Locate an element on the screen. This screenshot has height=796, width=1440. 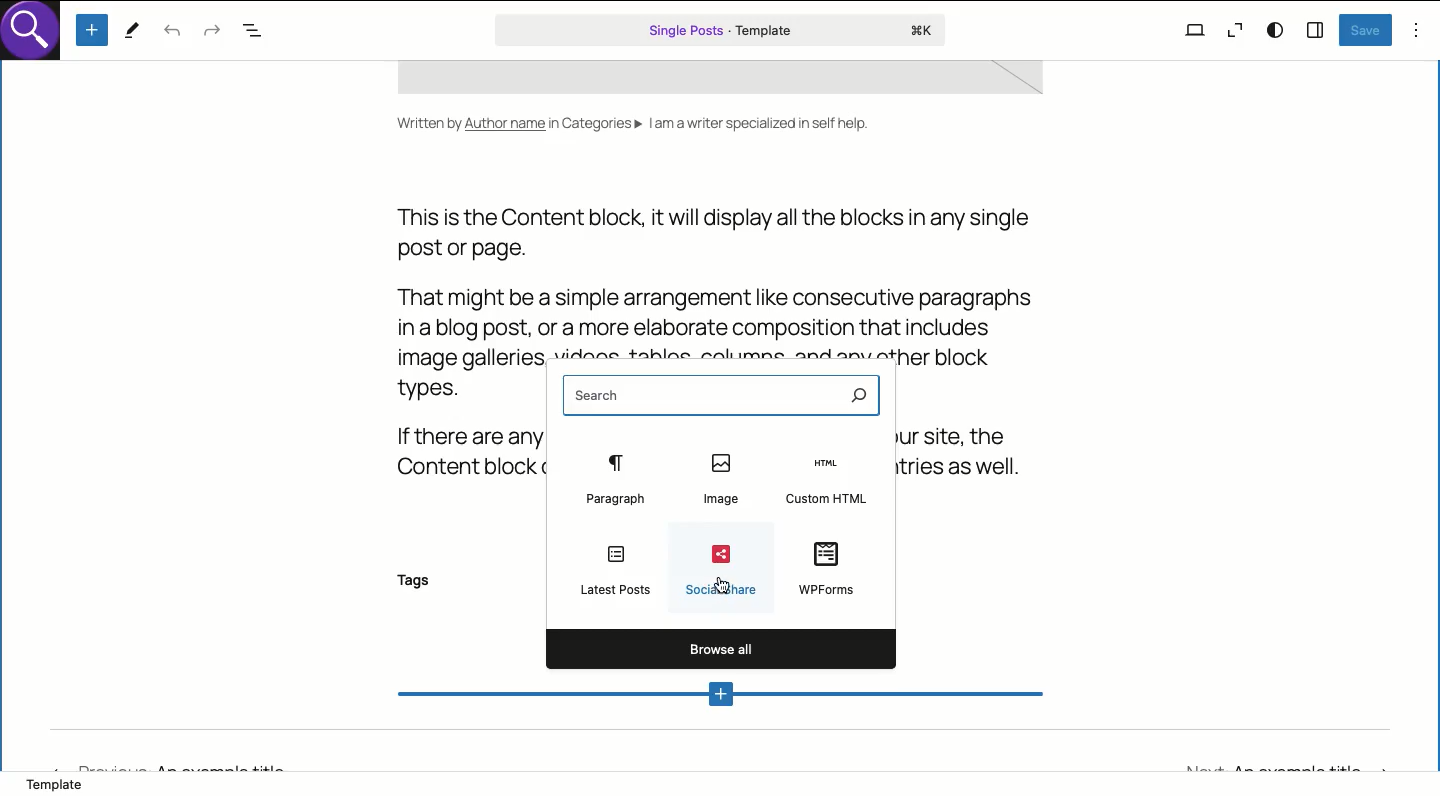
Written by Author name in Categories» Iam a writer specialized in self help. is located at coordinates (631, 129).